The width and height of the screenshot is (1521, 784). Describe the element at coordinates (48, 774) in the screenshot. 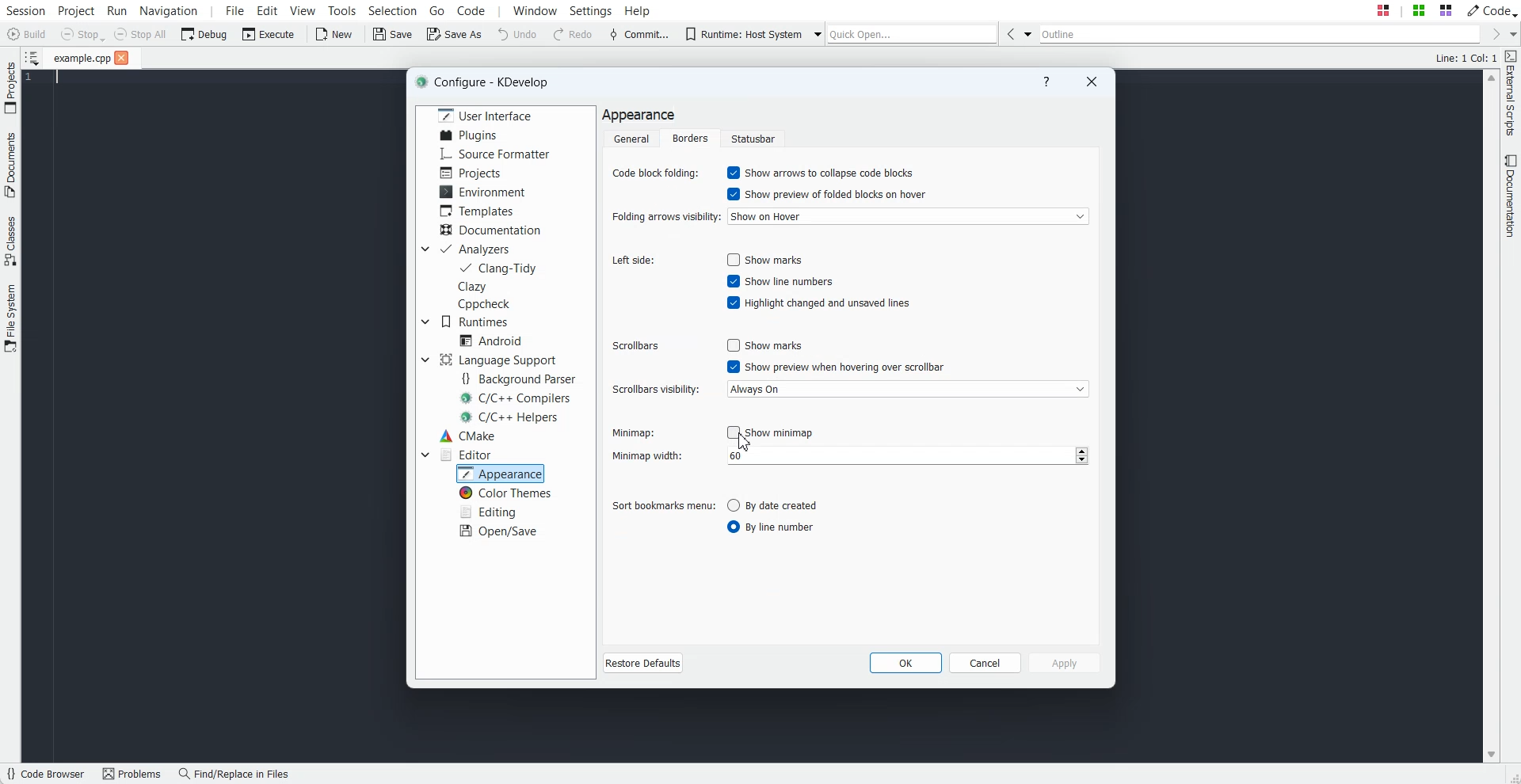

I see `Code Browser` at that location.